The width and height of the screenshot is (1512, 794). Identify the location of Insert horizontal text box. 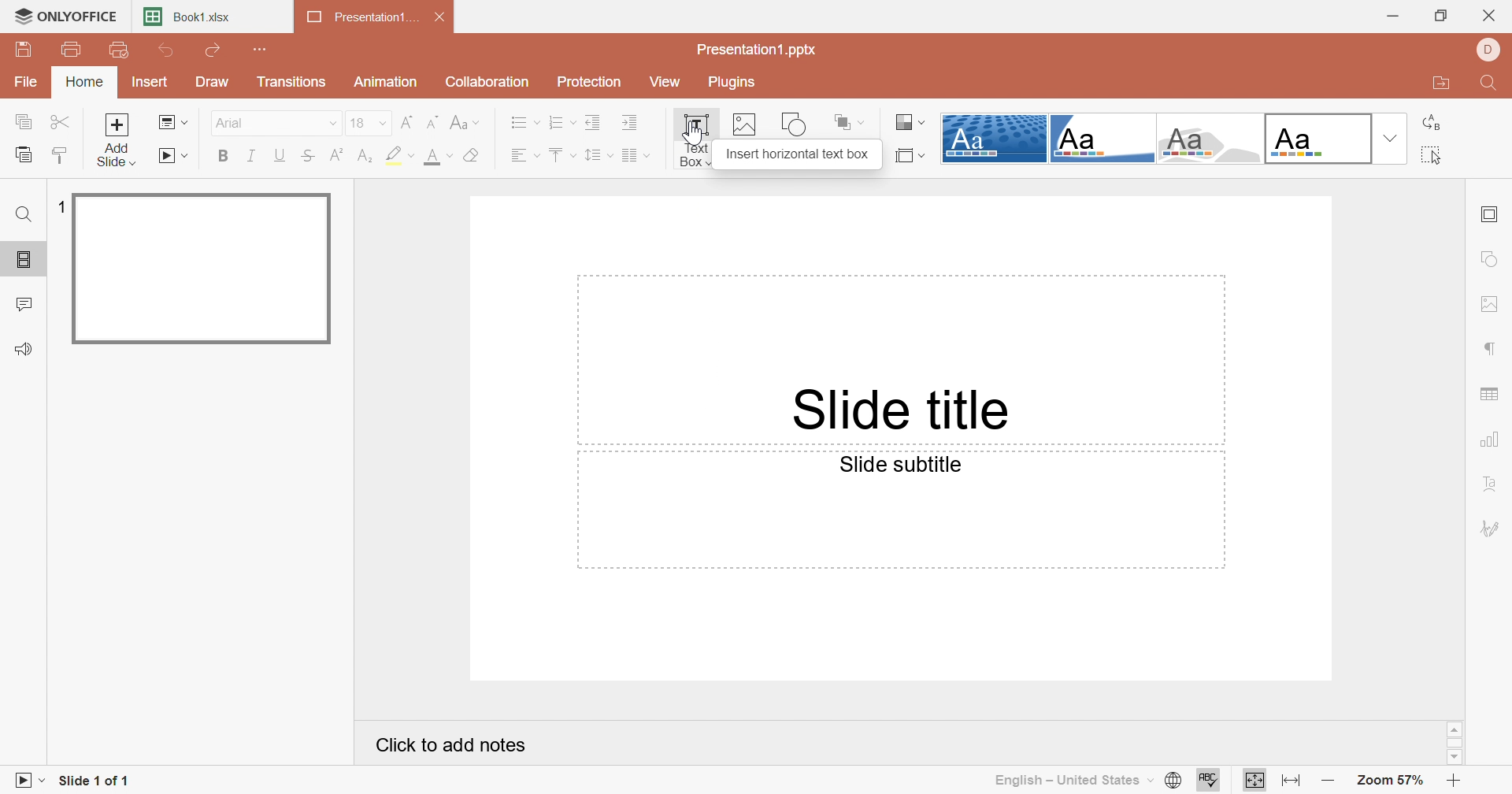
(797, 154).